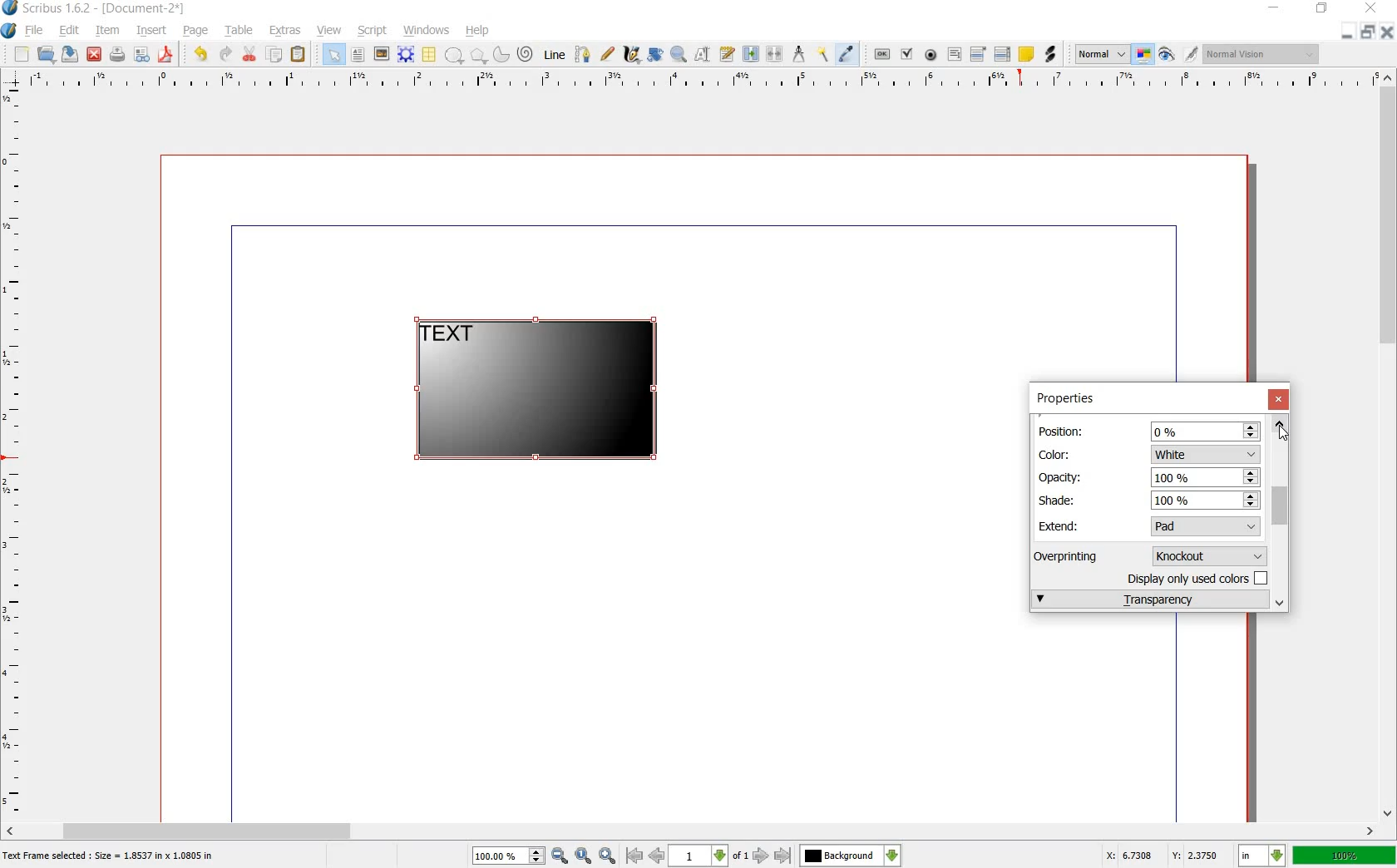  Describe the element at coordinates (1389, 446) in the screenshot. I see `scroll bar` at that location.